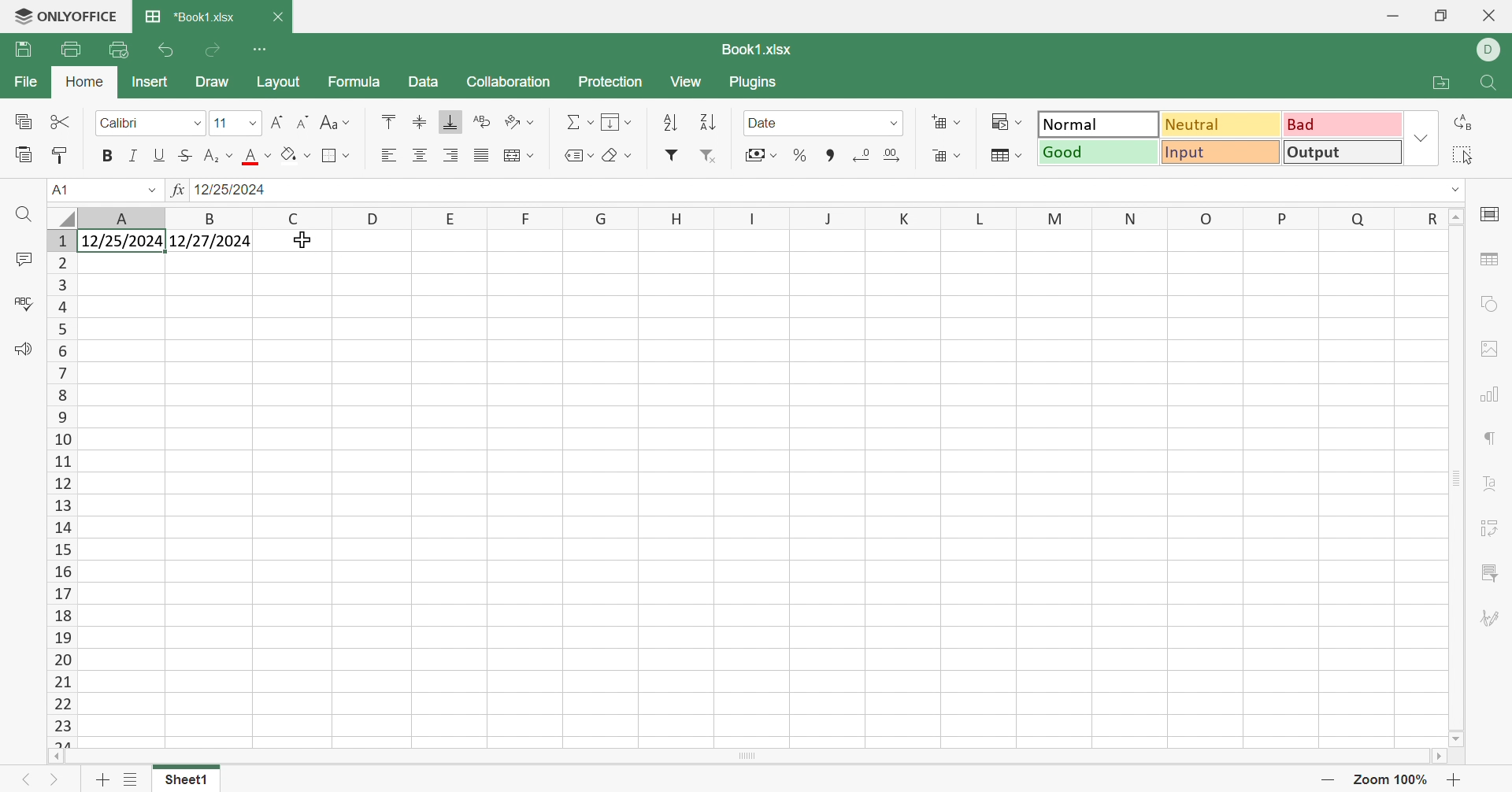 The image size is (1512, 792). What do you see at coordinates (1095, 153) in the screenshot?
I see `Good` at bounding box center [1095, 153].